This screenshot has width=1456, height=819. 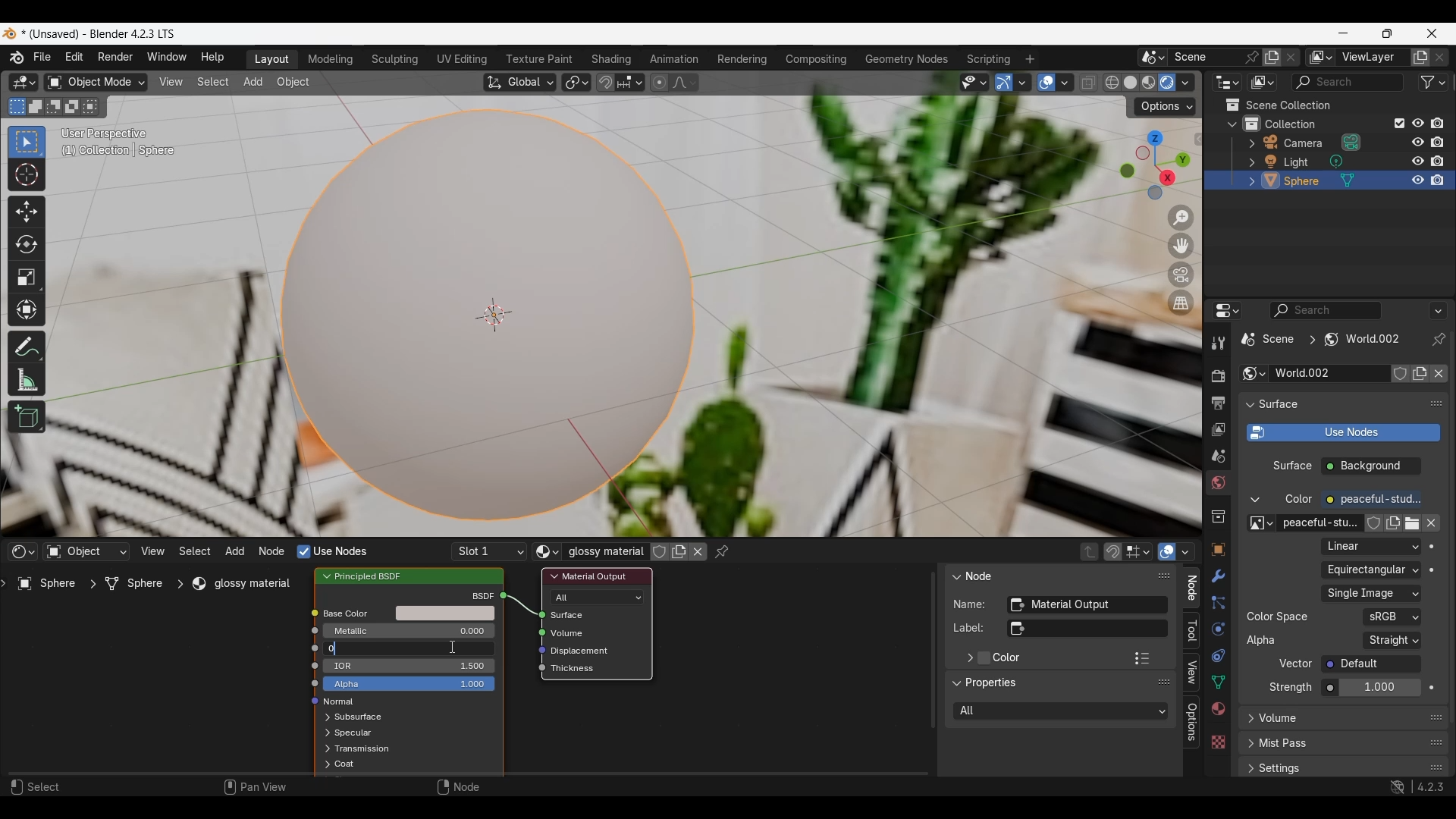 I want to click on Optional custom node label, so click(x=1087, y=629).